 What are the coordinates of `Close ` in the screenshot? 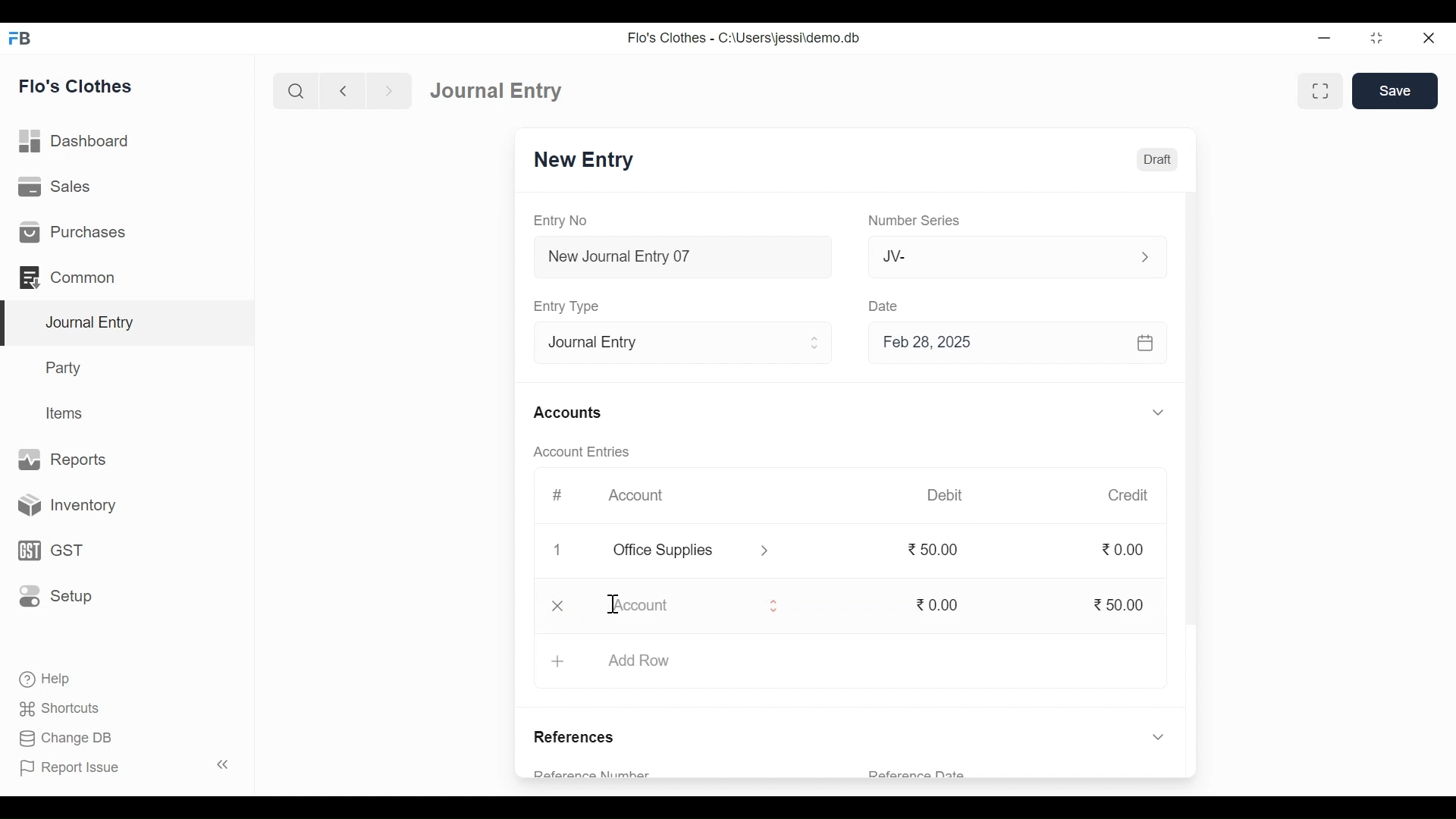 It's located at (557, 605).